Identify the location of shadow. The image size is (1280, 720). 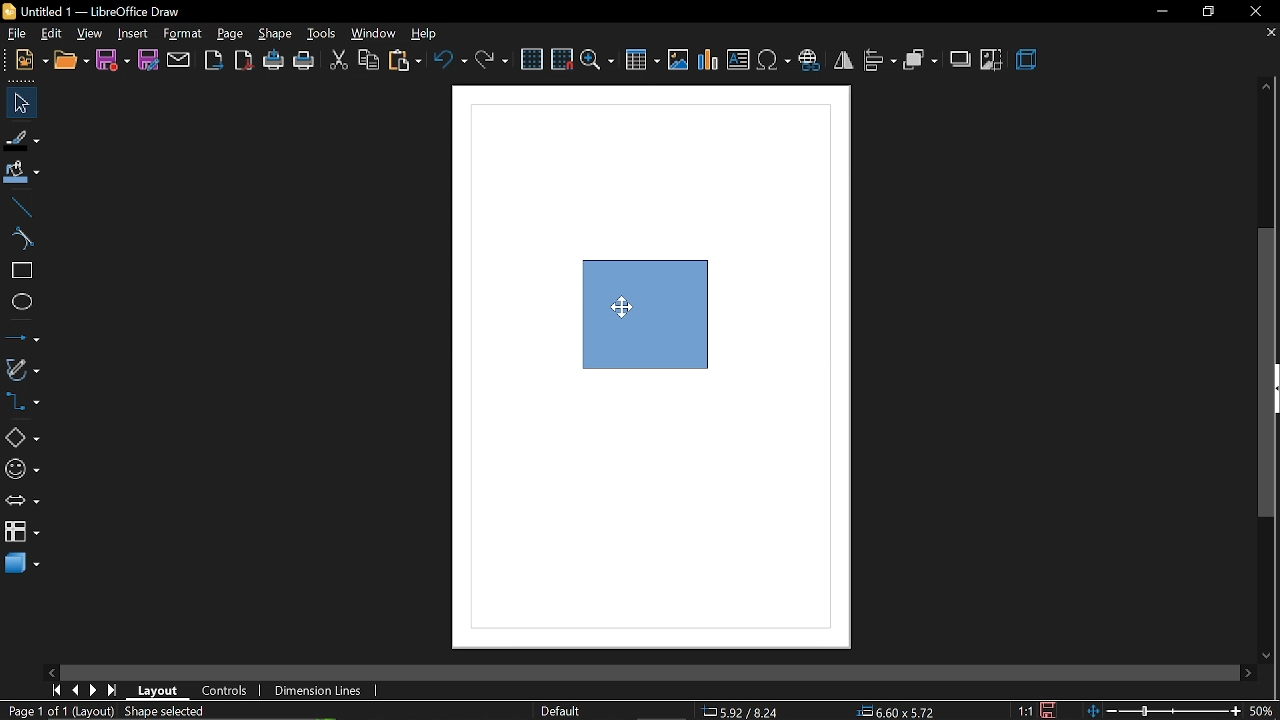
(961, 61).